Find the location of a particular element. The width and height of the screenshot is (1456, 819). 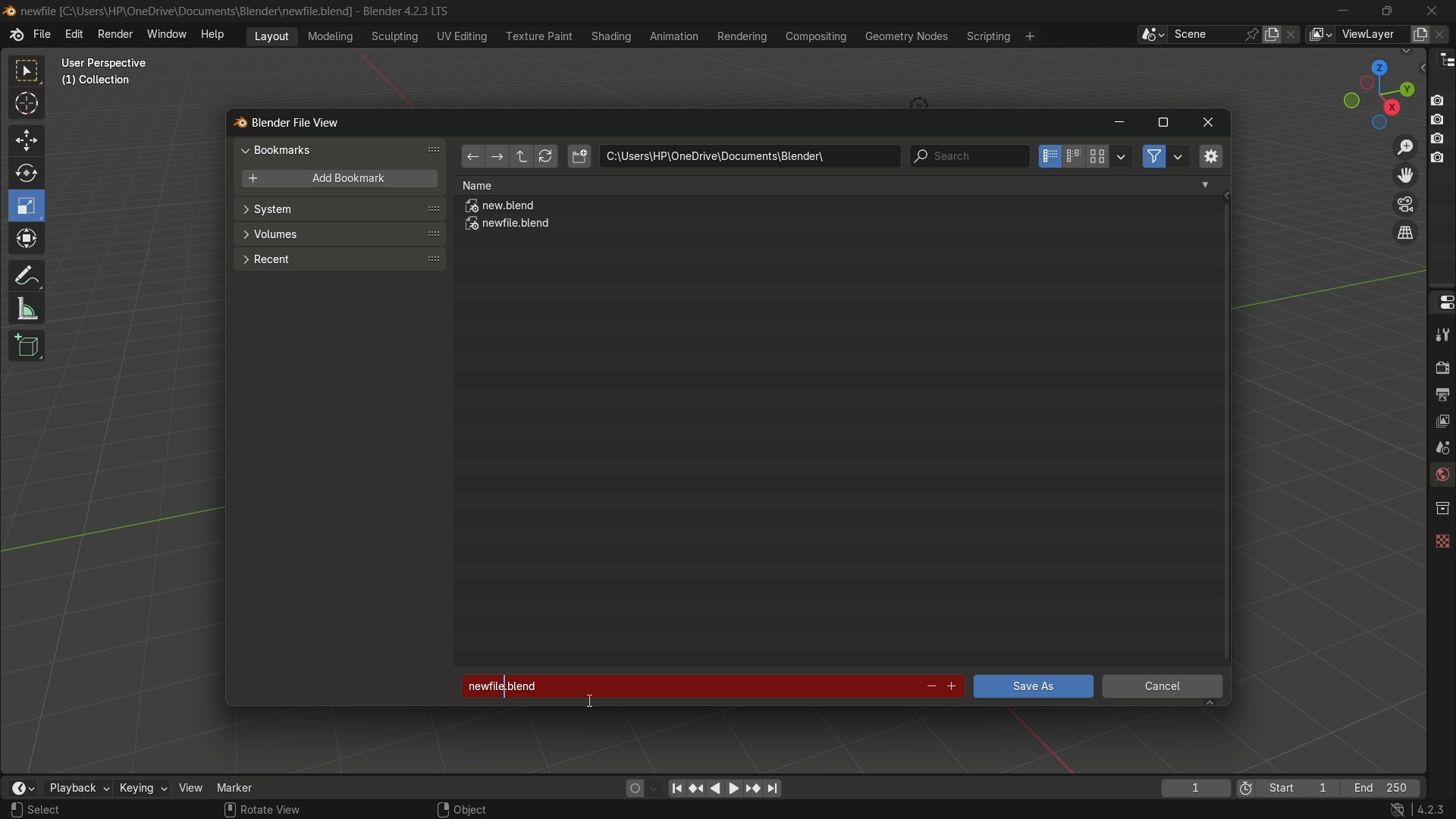

cancel is located at coordinates (1163, 689).